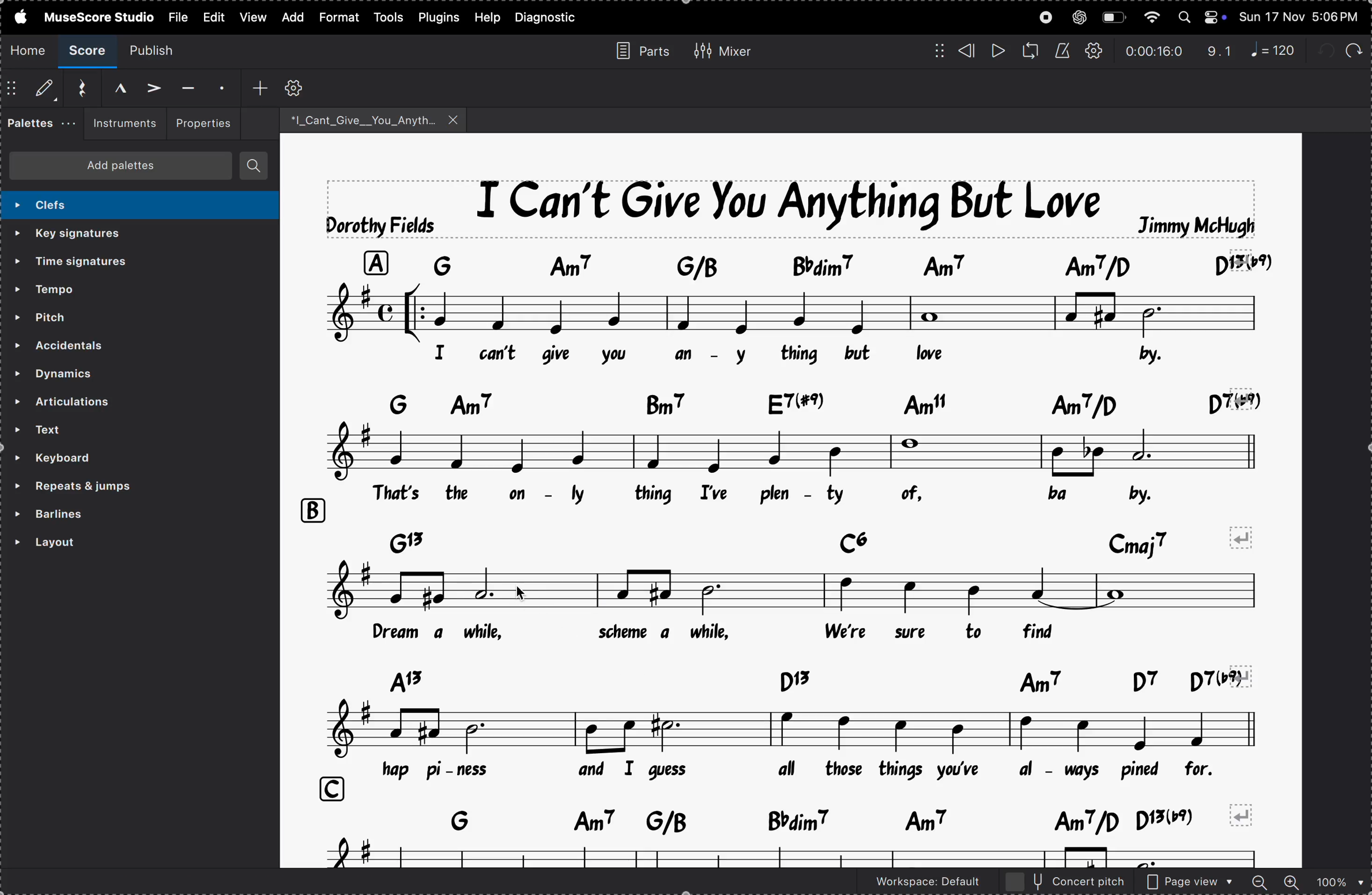 The height and width of the screenshot is (895, 1372). Describe the element at coordinates (1220, 51) in the screenshot. I see `redo` at that location.